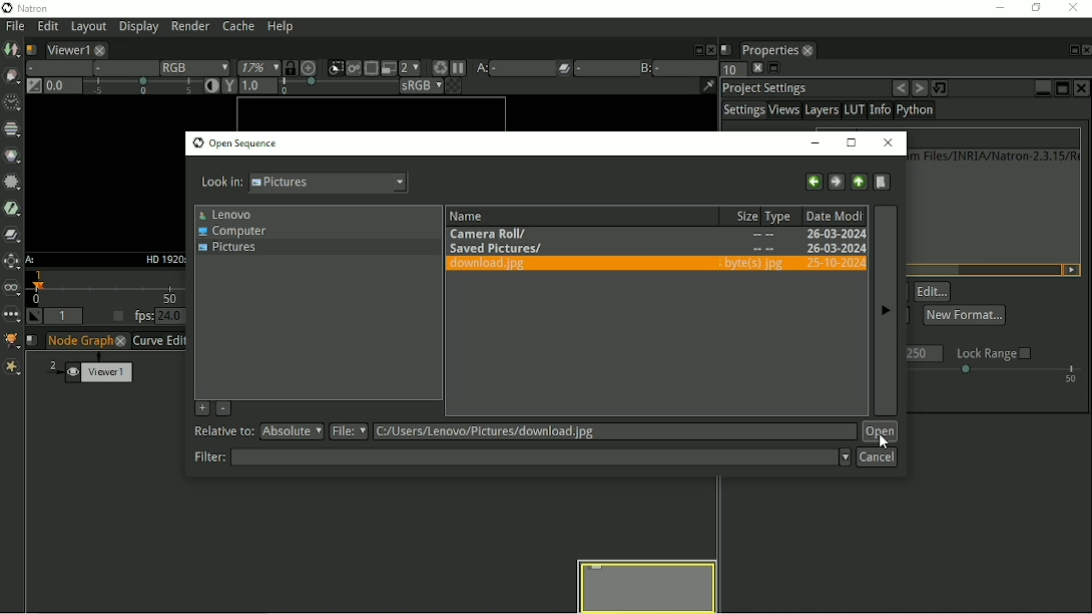 The image size is (1092, 614). I want to click on Minimize, so click(1042, 86).